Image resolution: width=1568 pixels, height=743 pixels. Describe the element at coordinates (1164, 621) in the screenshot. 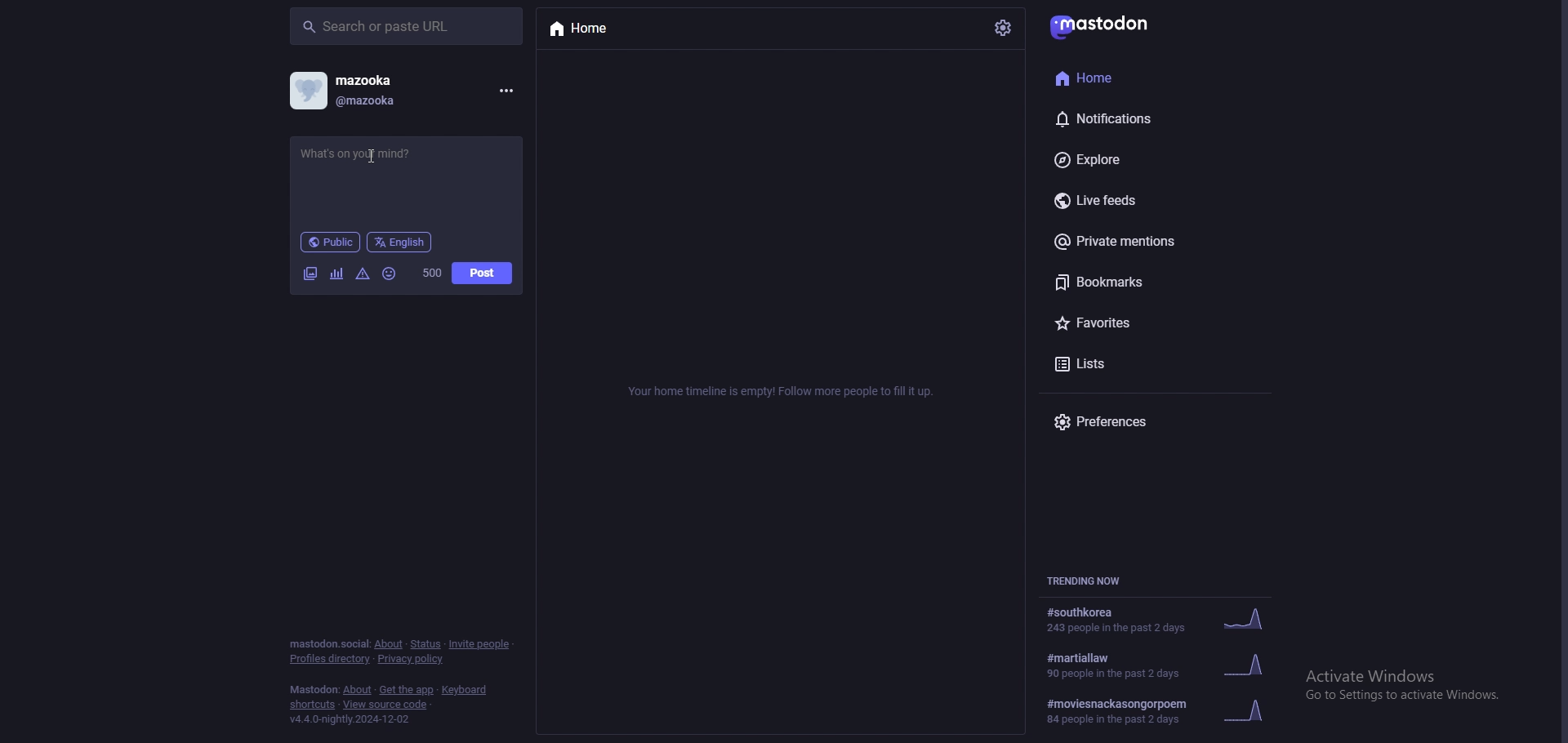

I see `trending` at that location.